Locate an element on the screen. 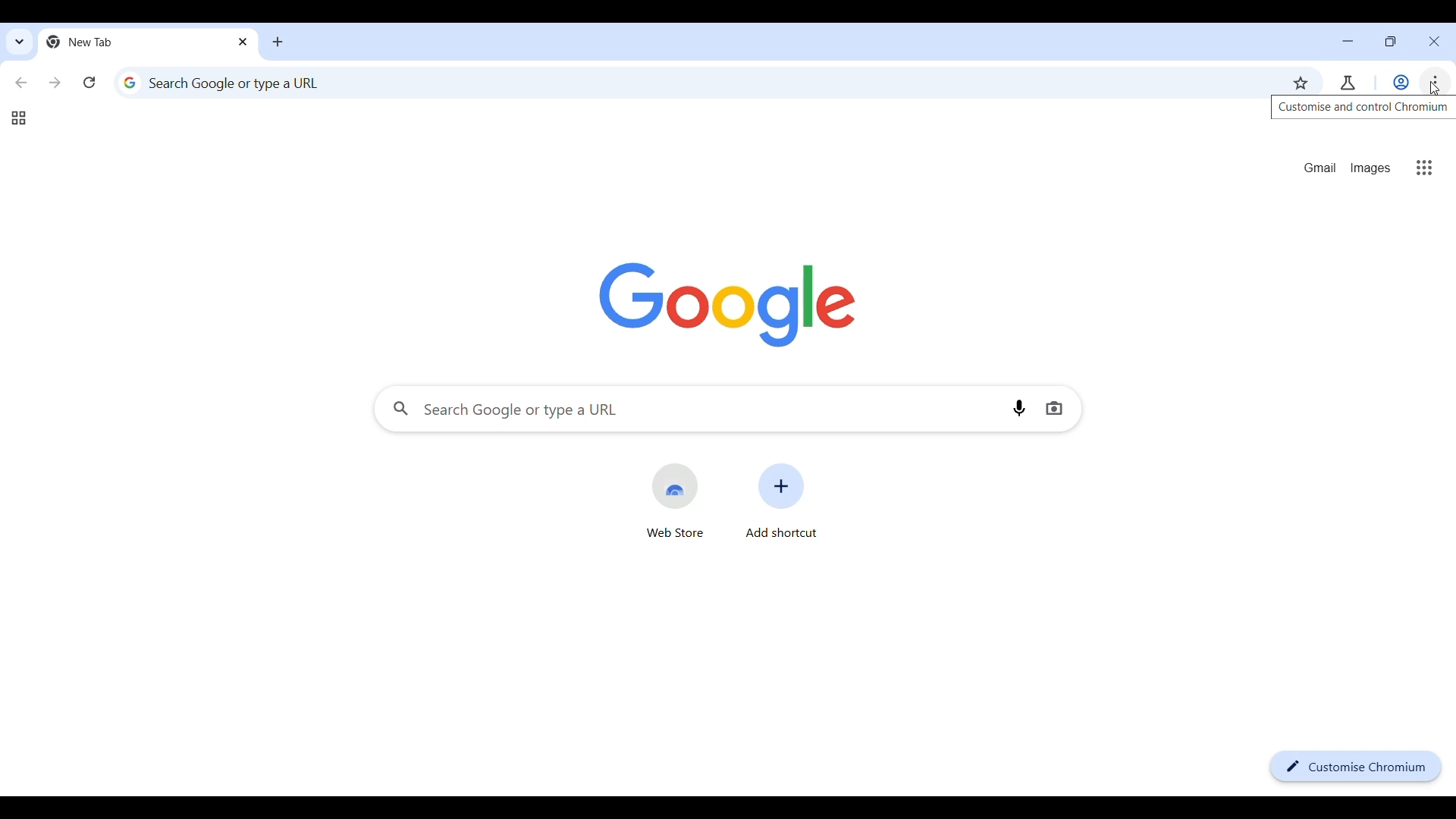 This screenshot has width=1456, height=819. Quick search tabs is located at coordinates (18, 44).